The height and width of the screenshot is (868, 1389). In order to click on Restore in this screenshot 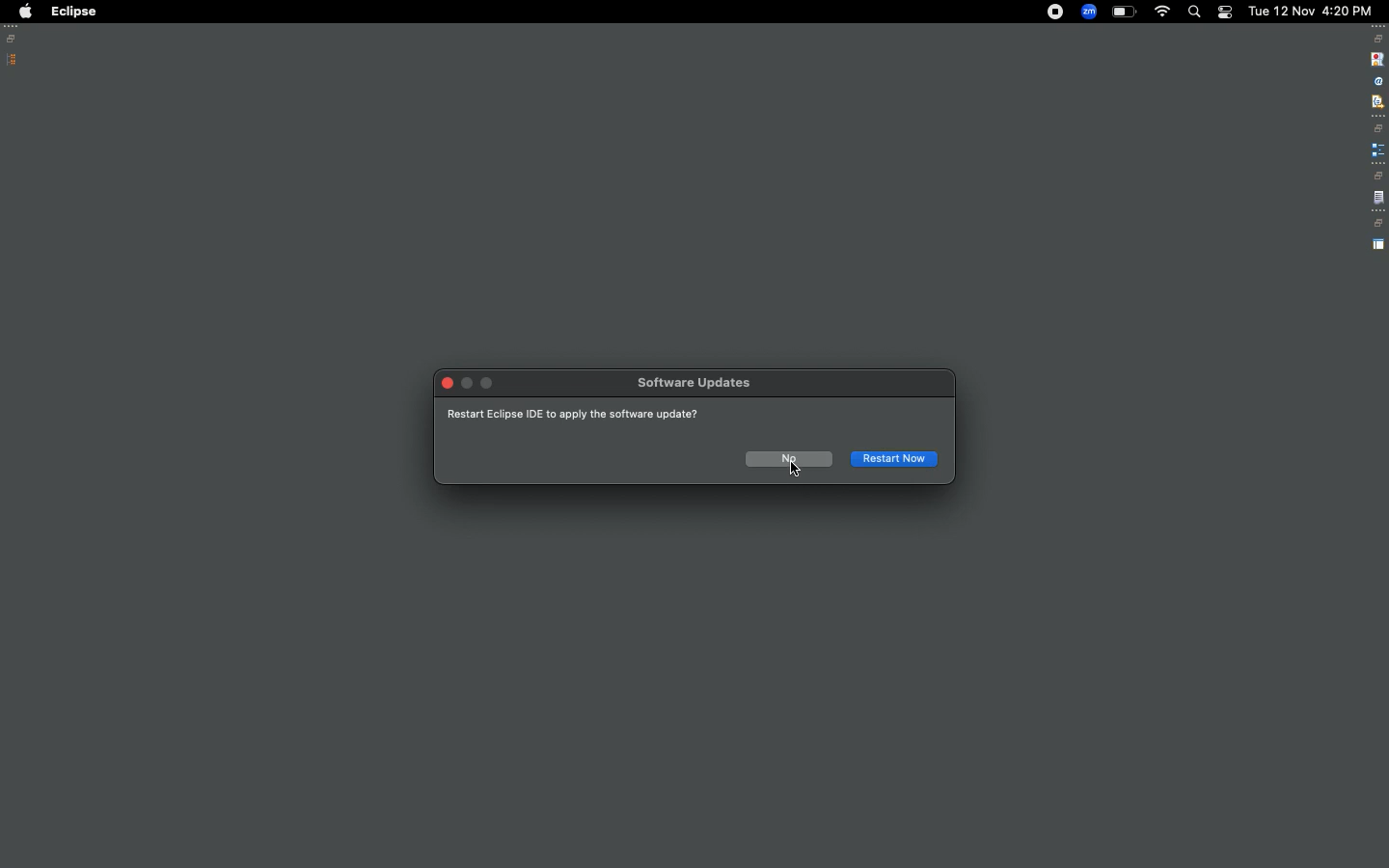, I will do `click(14, 39)`.